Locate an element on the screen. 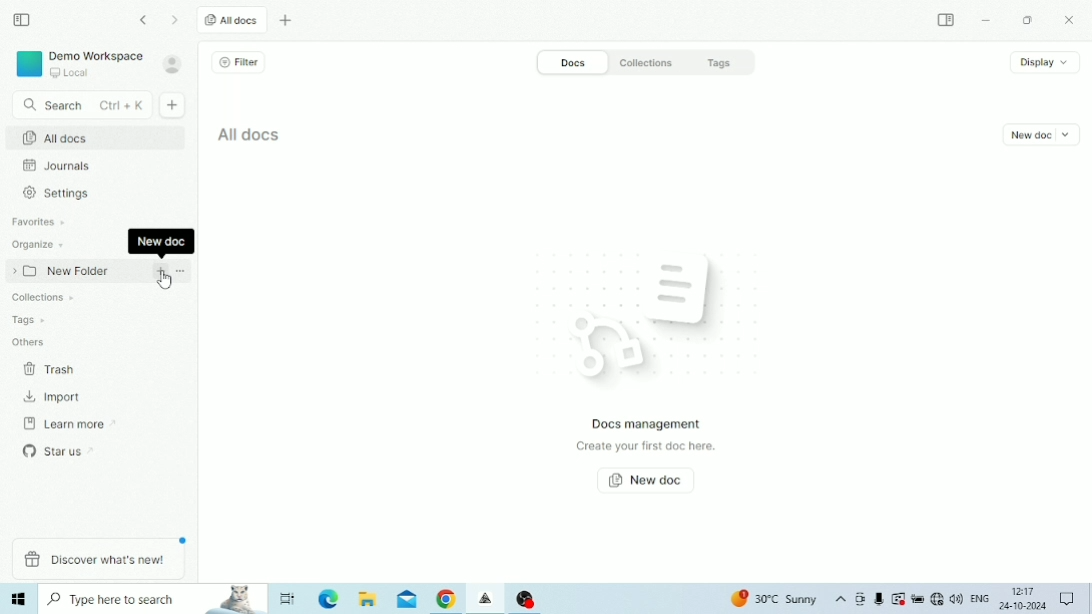 The height and width of the screenshot is (614, 1092). Warning is located at coordinates (898, 598).